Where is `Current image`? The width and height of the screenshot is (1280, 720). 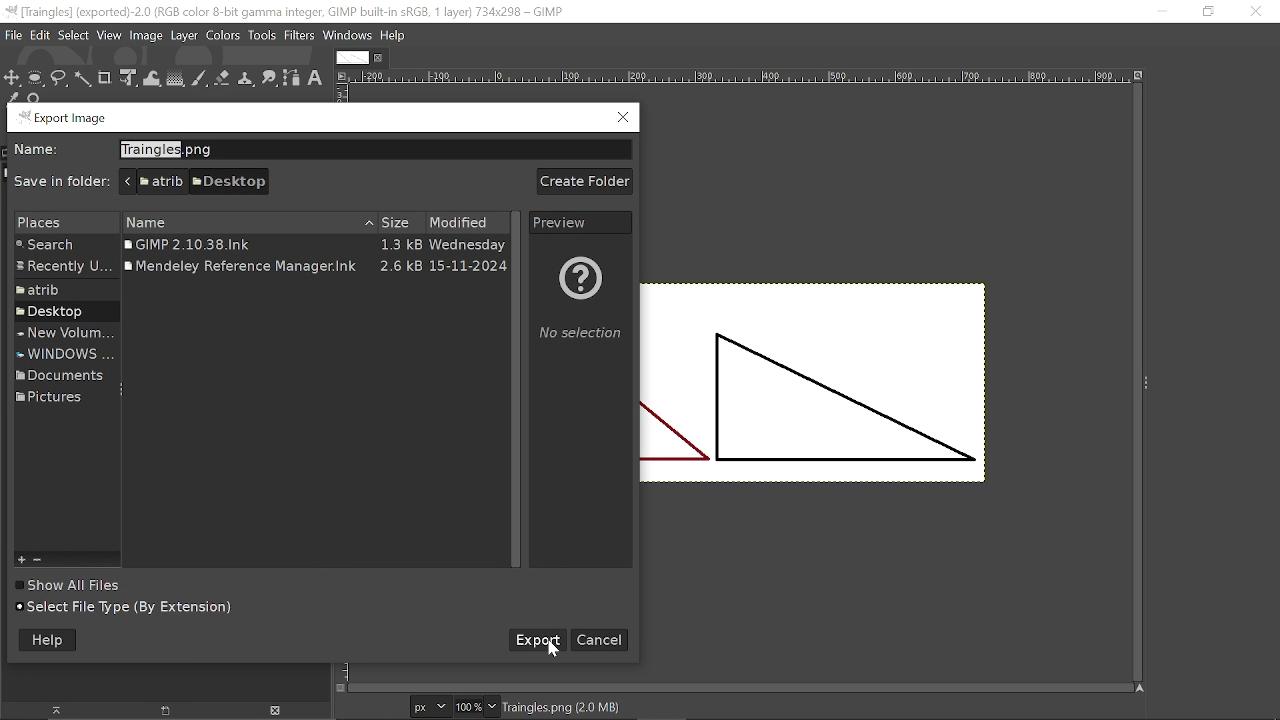 Current image is located at coordinates (815, 384).